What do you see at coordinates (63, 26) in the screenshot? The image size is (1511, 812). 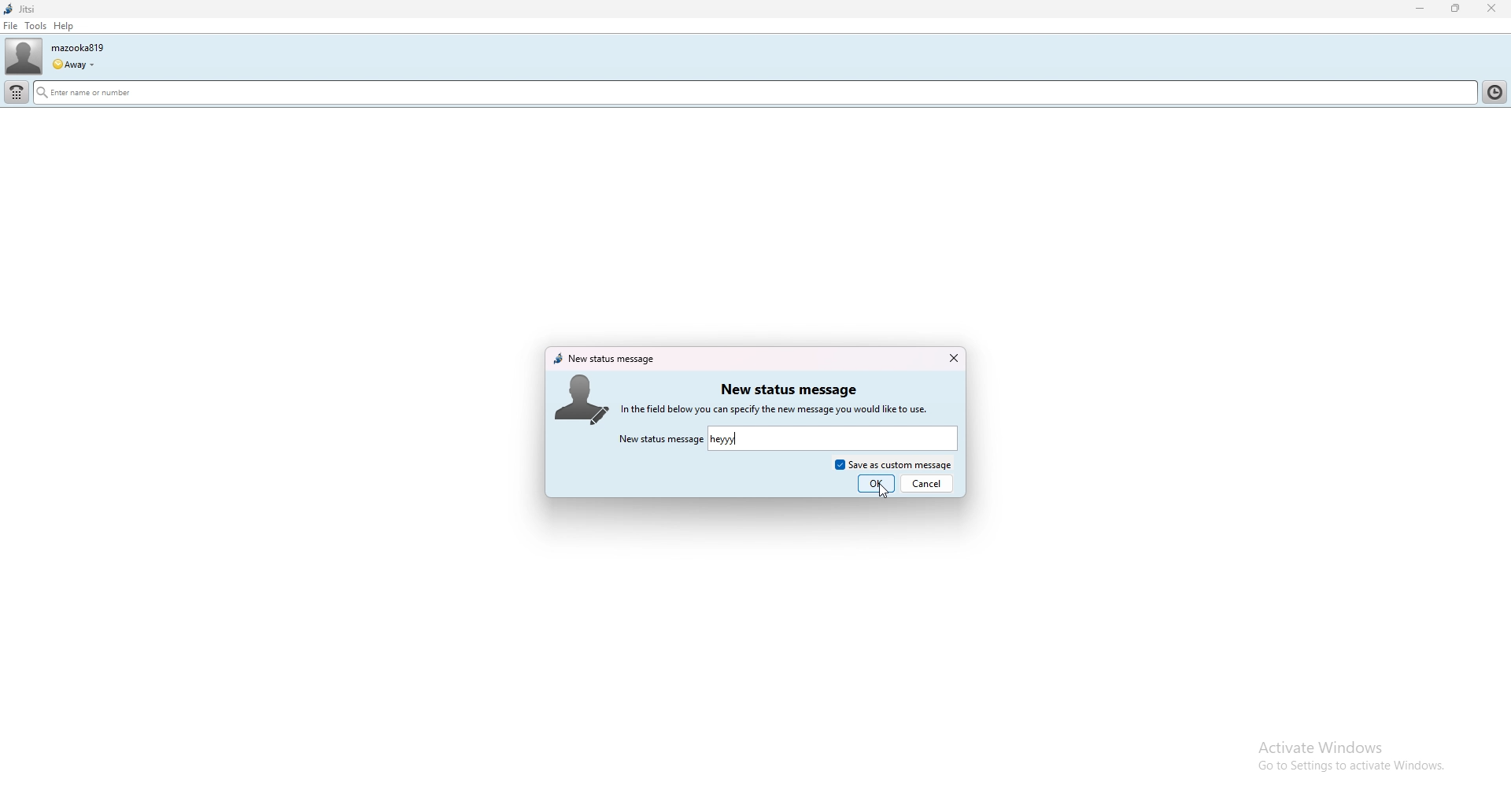 I see `help` at bounding box center [63, 26].